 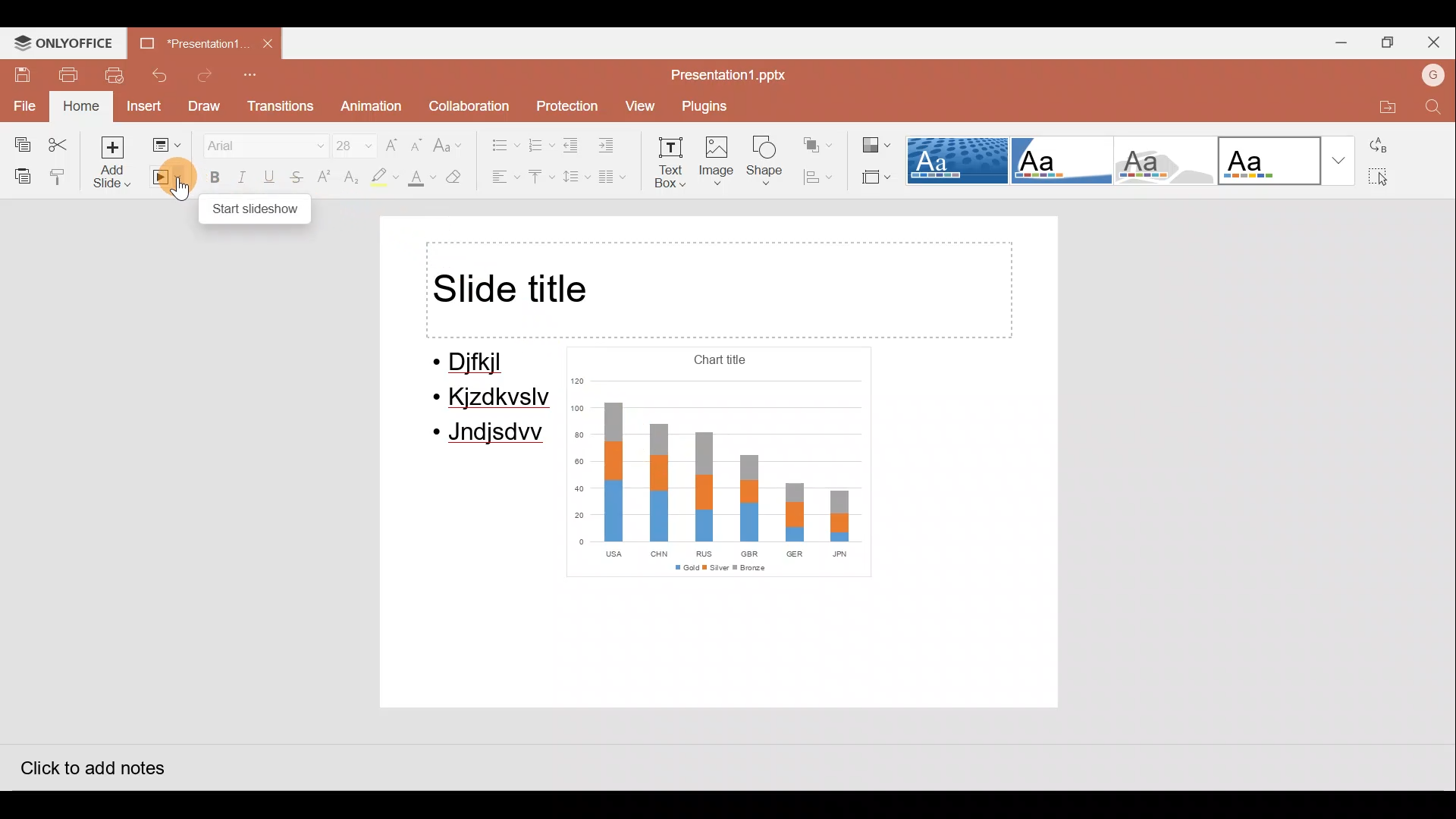 I want to click on Change colour theme, so click(x=874, y=146).